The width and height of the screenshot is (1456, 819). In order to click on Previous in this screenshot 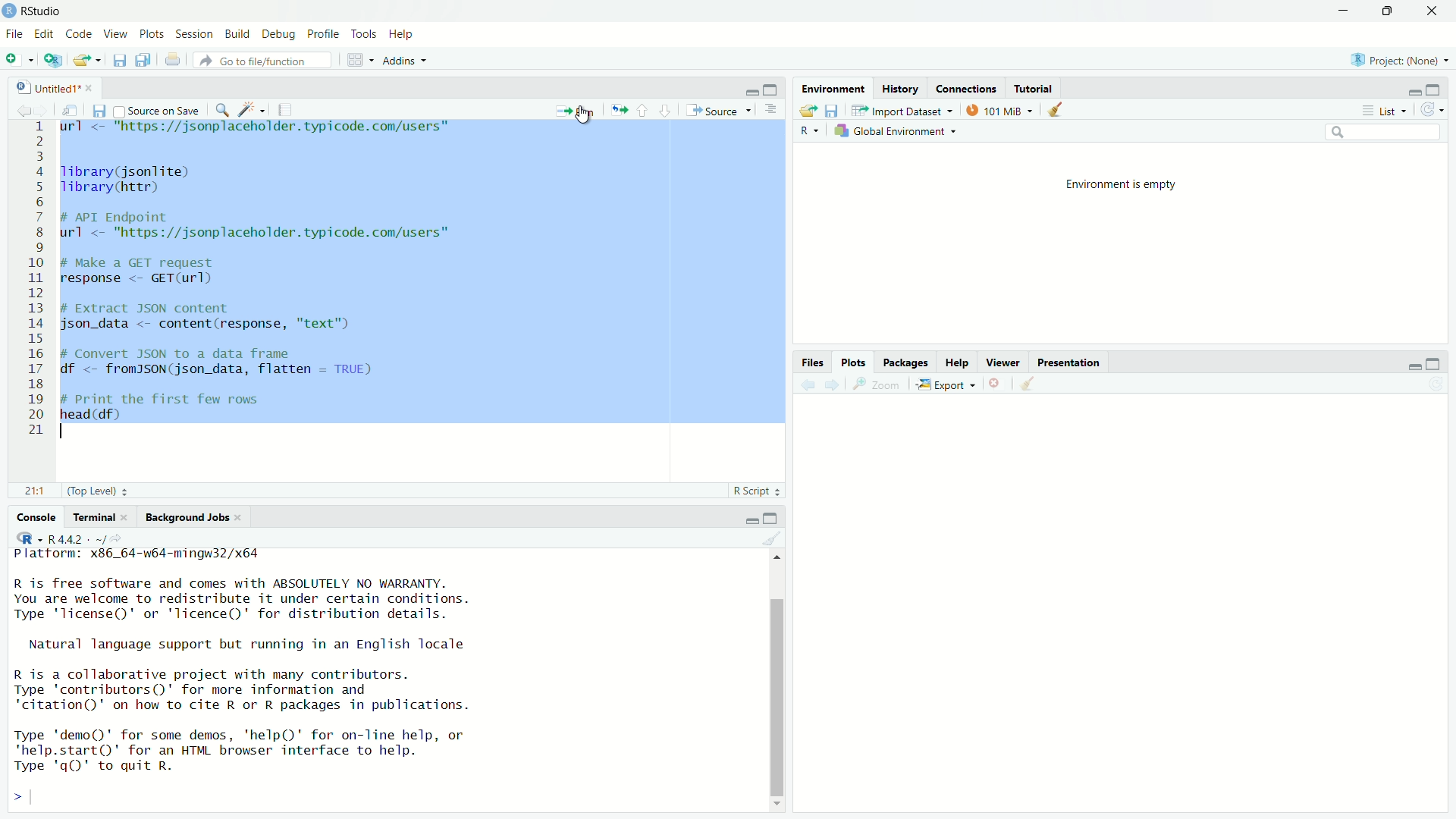, I will do `click(21, 112)`.